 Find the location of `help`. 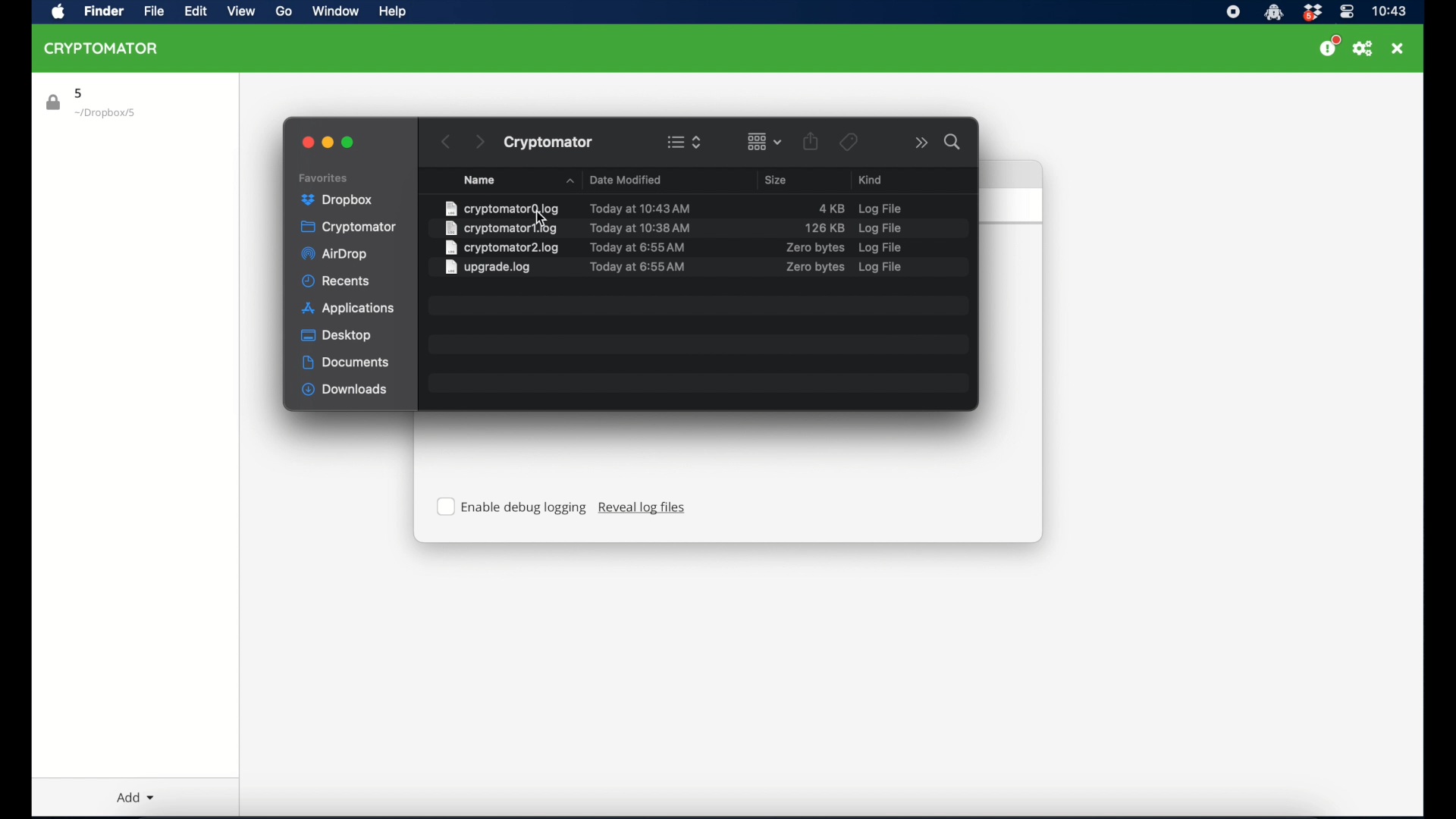

help is located at coordinates (394, 13).